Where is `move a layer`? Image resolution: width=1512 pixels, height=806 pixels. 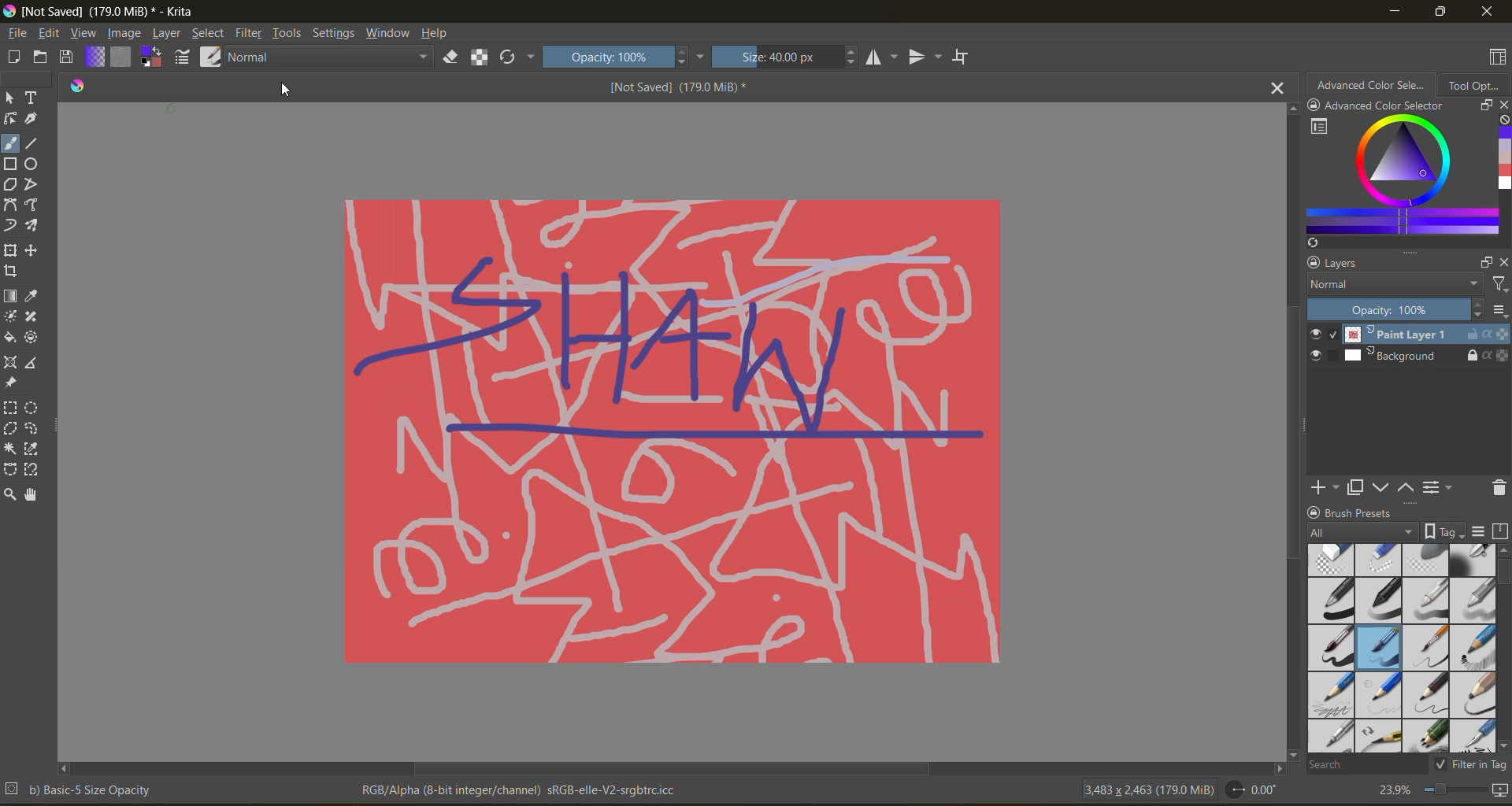 move a layer is located at coordinates (35, 250).